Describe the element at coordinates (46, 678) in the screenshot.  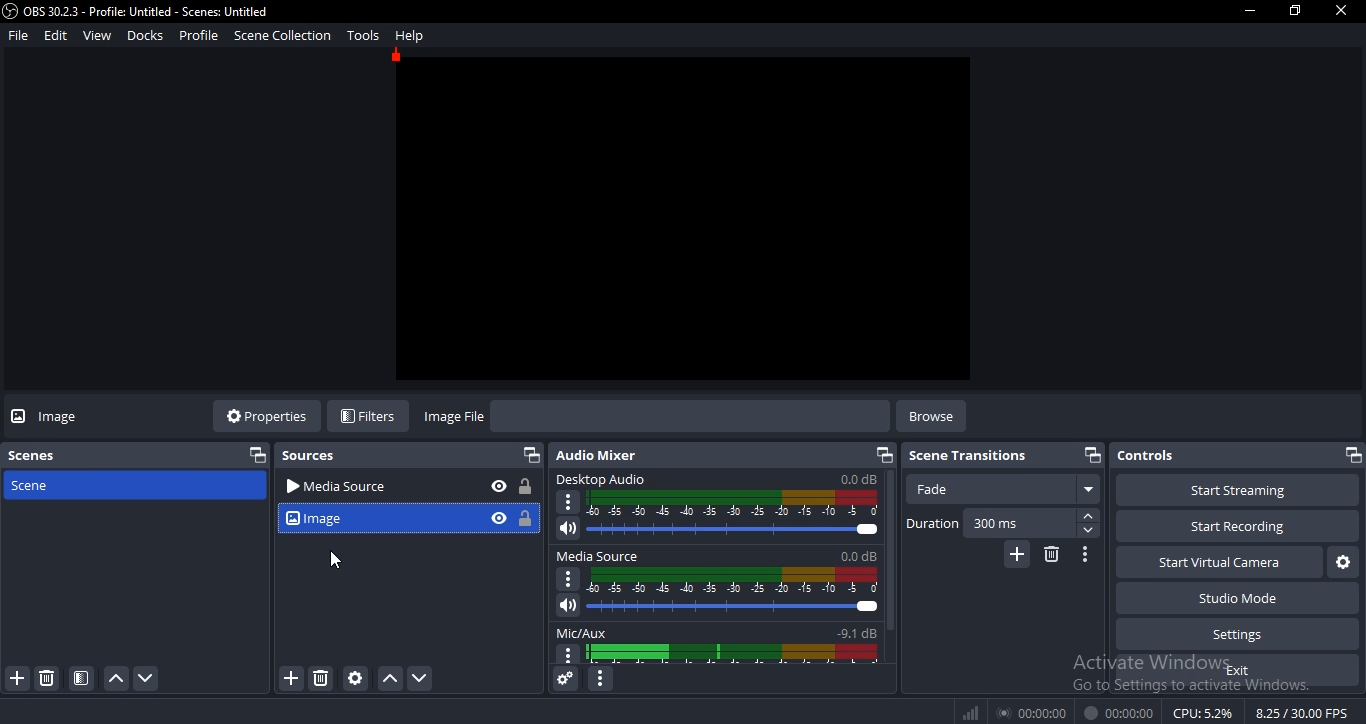
I see `remove scene` at that location.